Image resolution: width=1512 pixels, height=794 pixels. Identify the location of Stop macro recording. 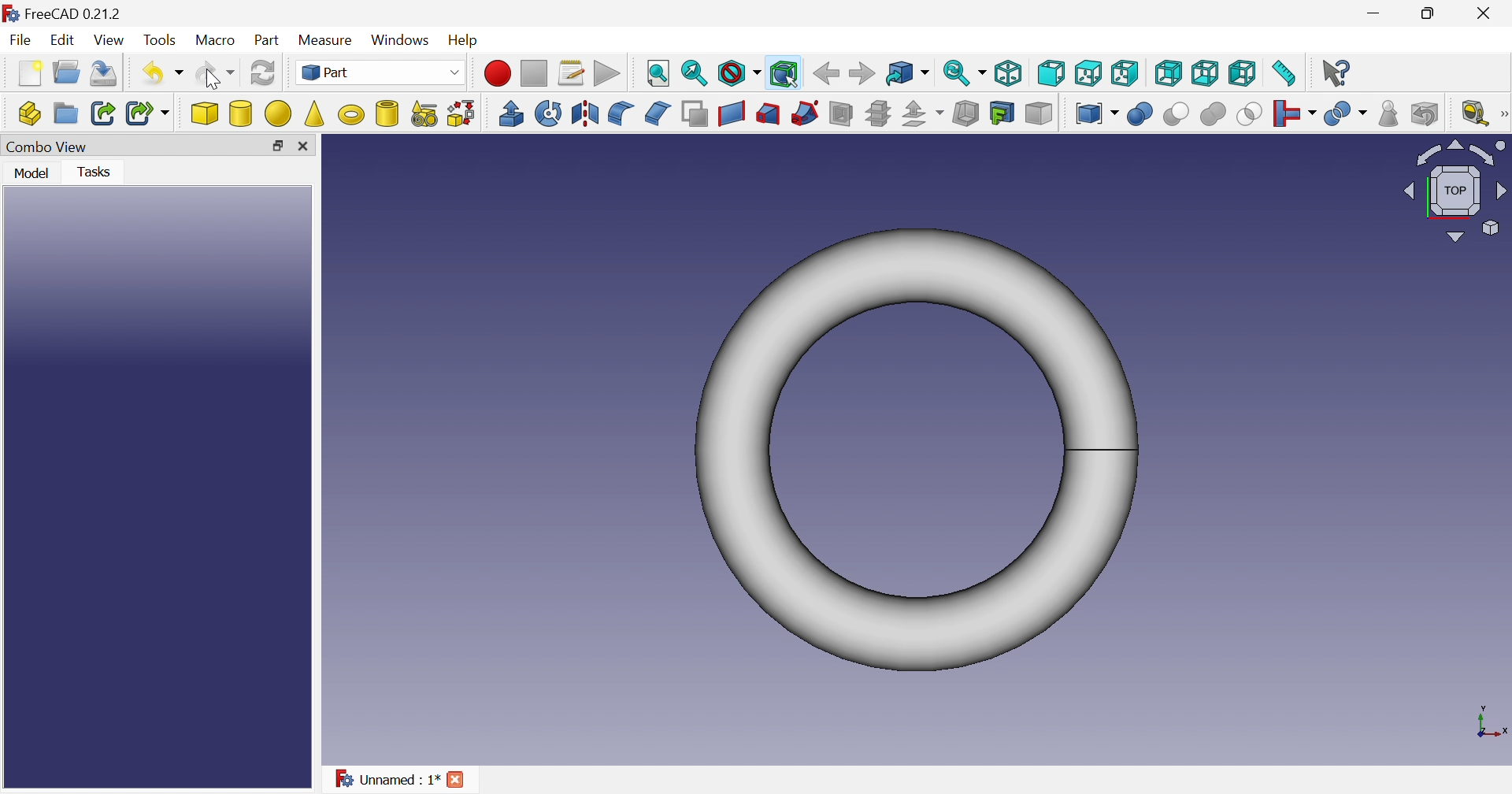
(534, 74).